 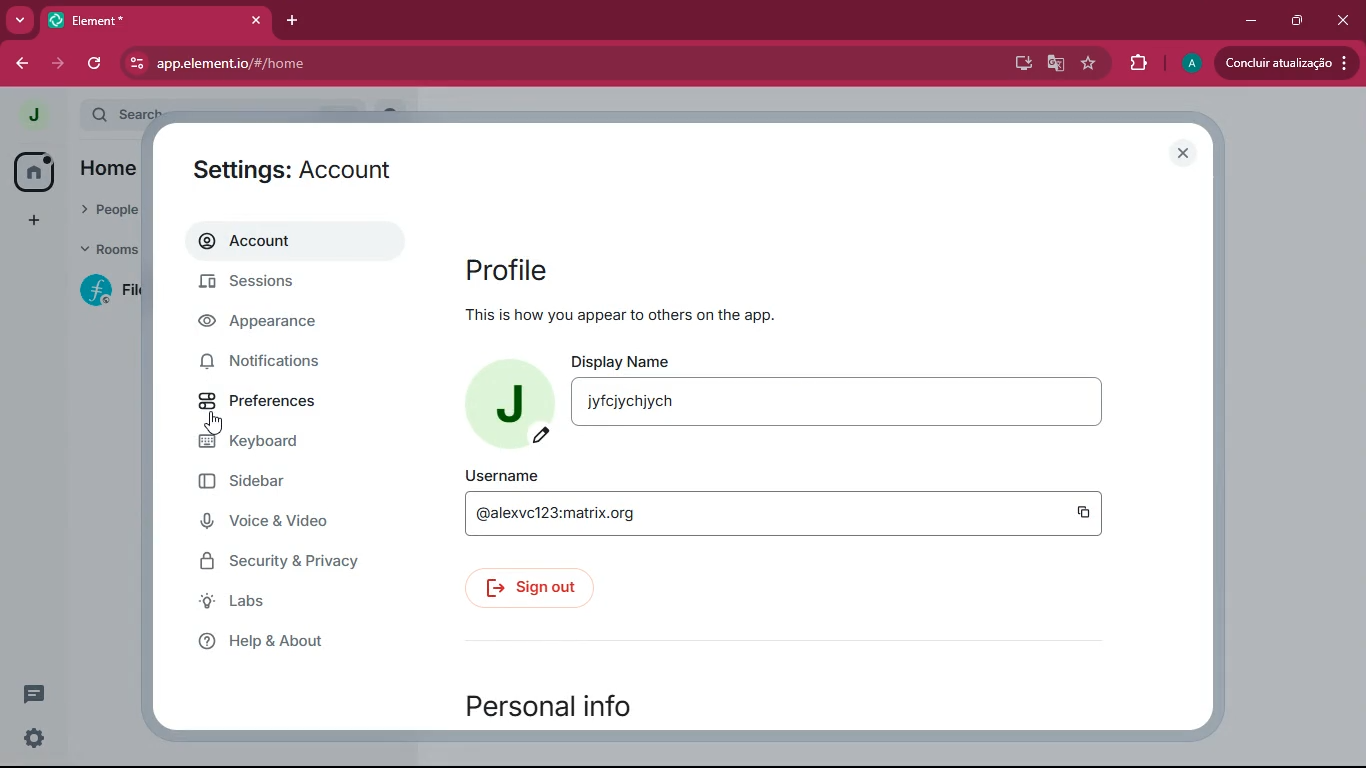 What do you see at coordinates (295, 643) in the screenshot?
I see `help` at bounding box center [295, 643].